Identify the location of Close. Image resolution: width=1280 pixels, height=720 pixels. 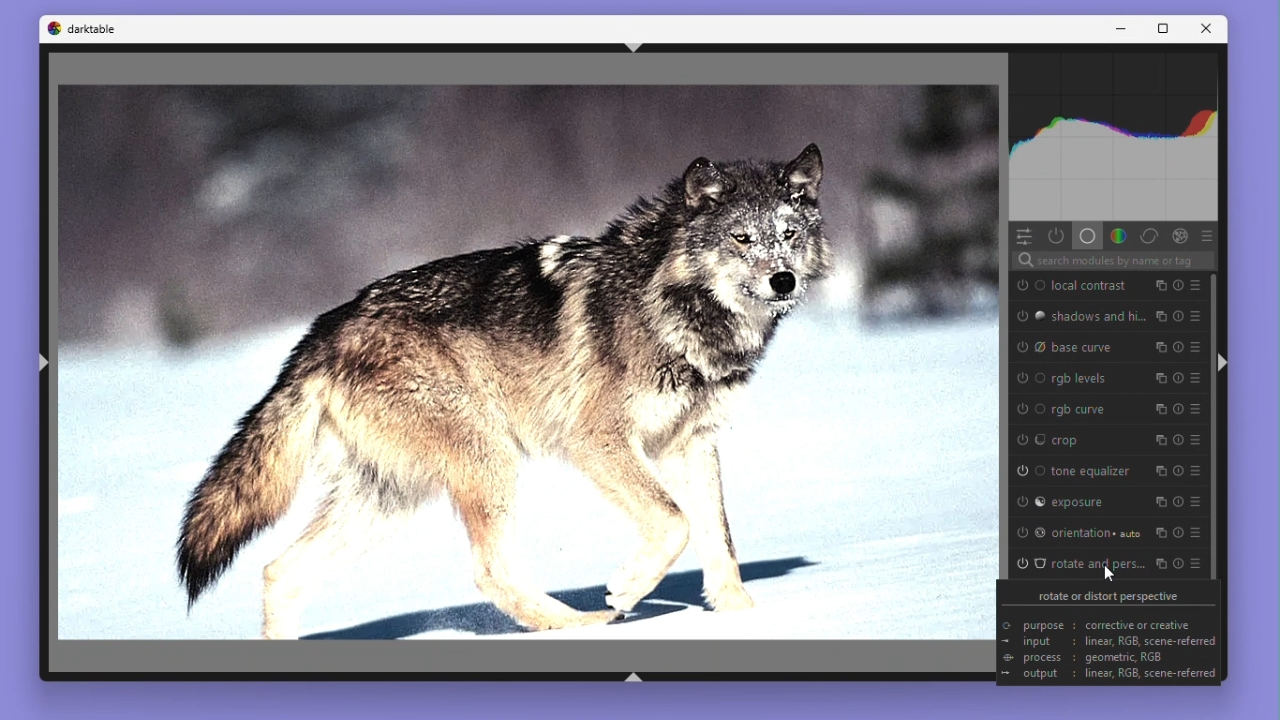
(1210, 29).